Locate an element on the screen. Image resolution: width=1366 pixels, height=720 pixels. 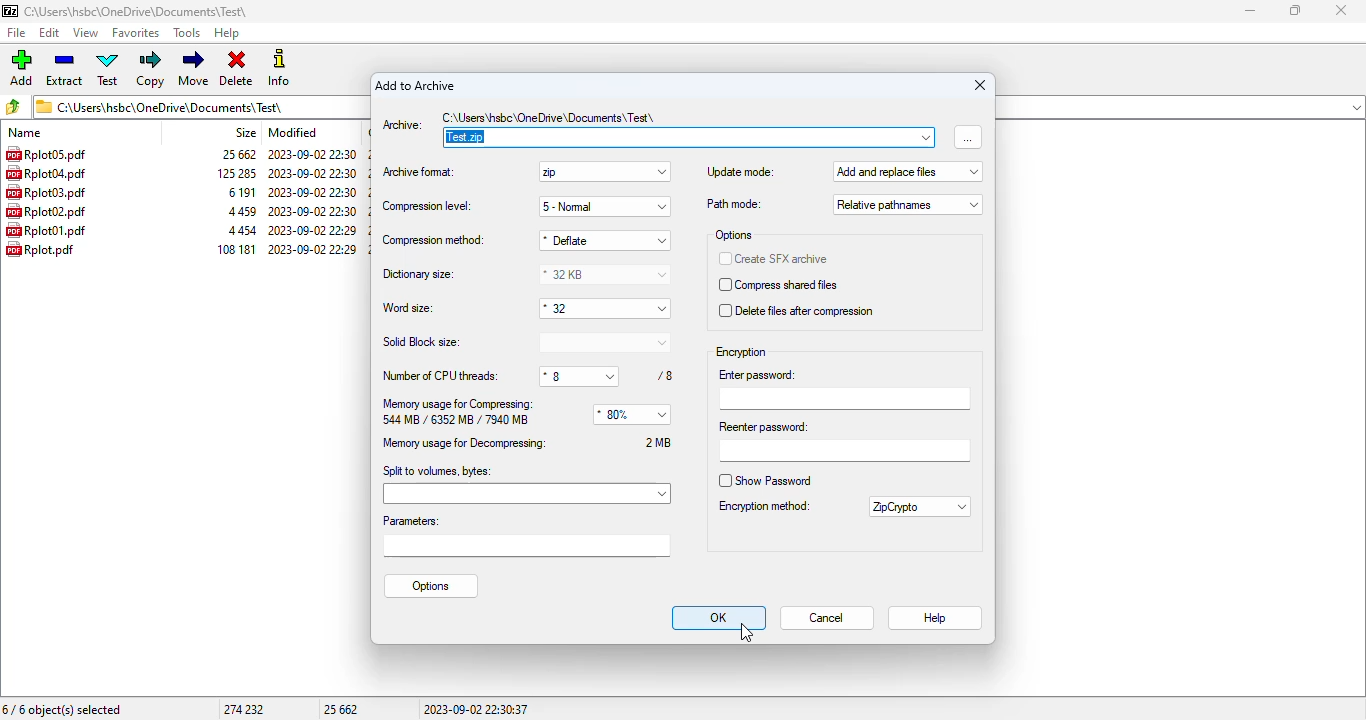
favorites is located at coordinates (136, 33).